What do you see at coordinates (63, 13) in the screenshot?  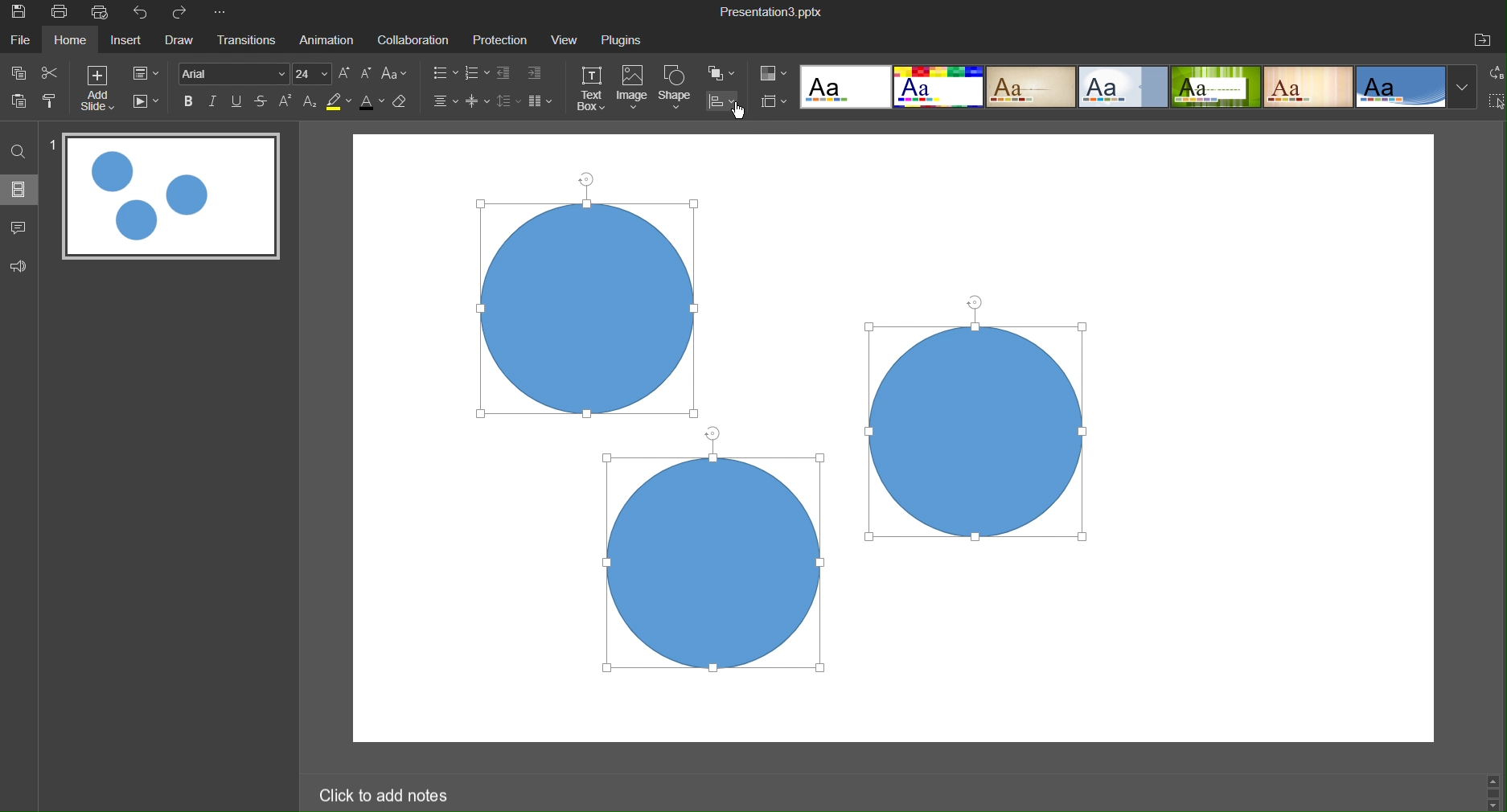 I see `Print` at bounding box center [63, 13].